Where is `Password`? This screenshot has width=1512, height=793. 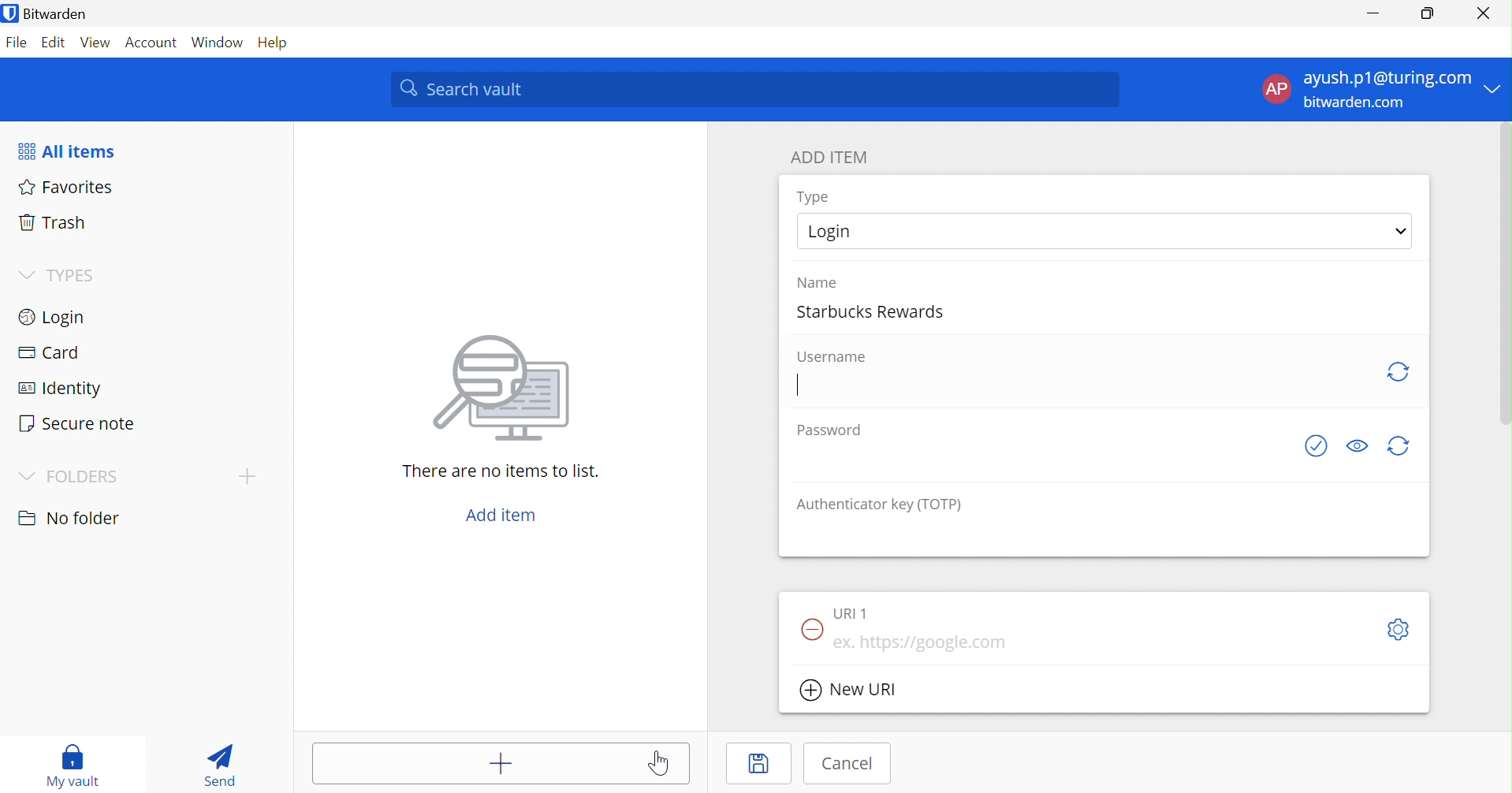
Password is located at coordinates (829, 430).